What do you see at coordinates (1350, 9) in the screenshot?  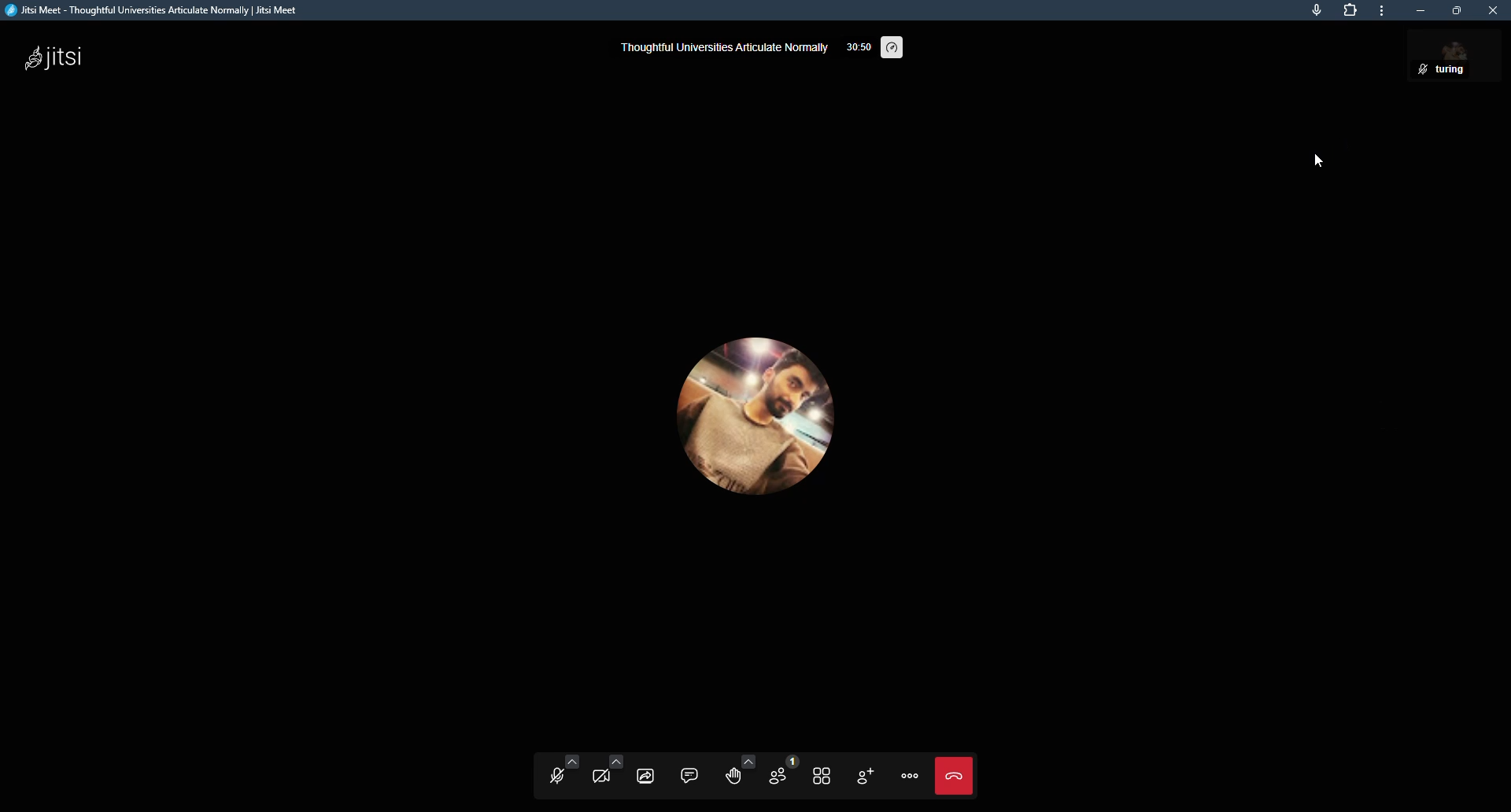 I see `extension` at bounding box center [1350, 9].